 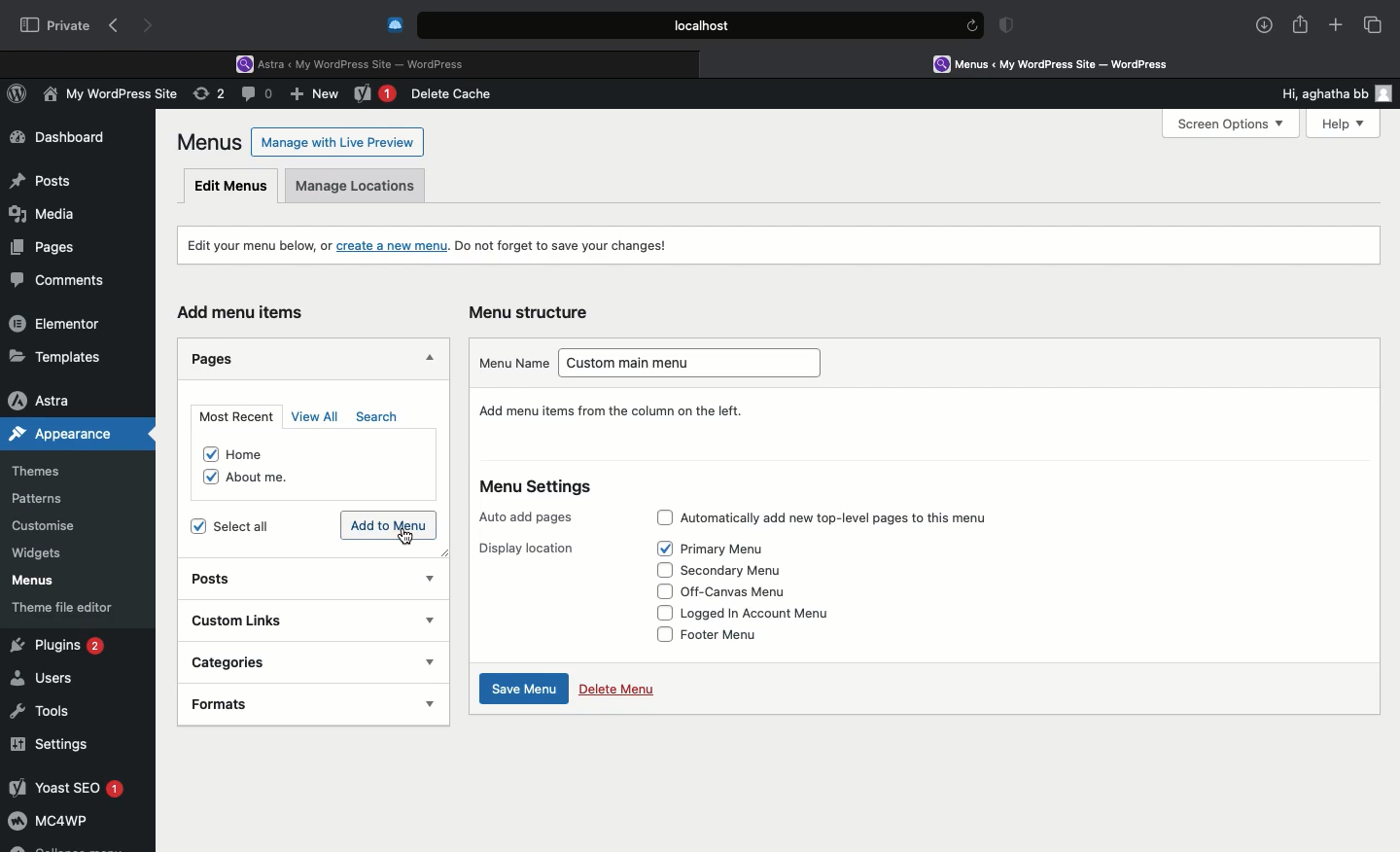 I want to click on Display location, so click(x=533, y=547).